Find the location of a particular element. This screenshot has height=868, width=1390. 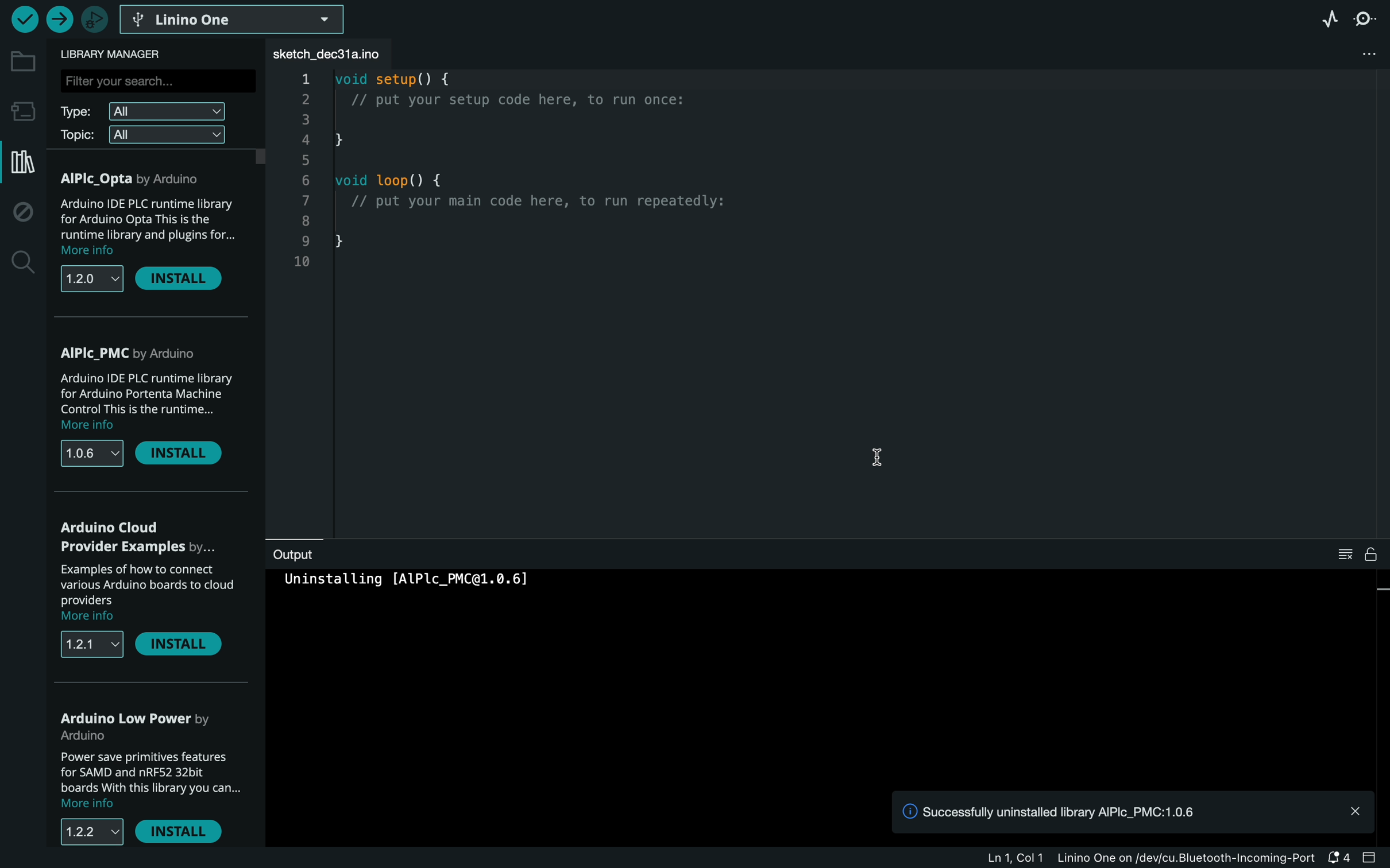

topic filter is located at coordinates (143, 134).